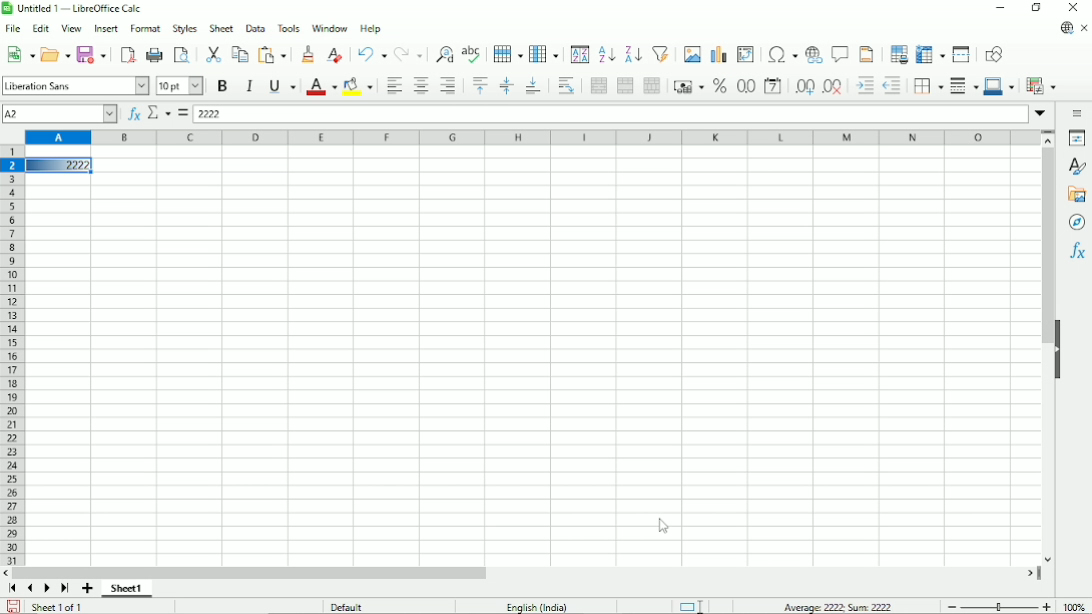  What do you see at coordinates (250, 86) in the screenshot?
I see `Italic` at bounding box center [250, 86].